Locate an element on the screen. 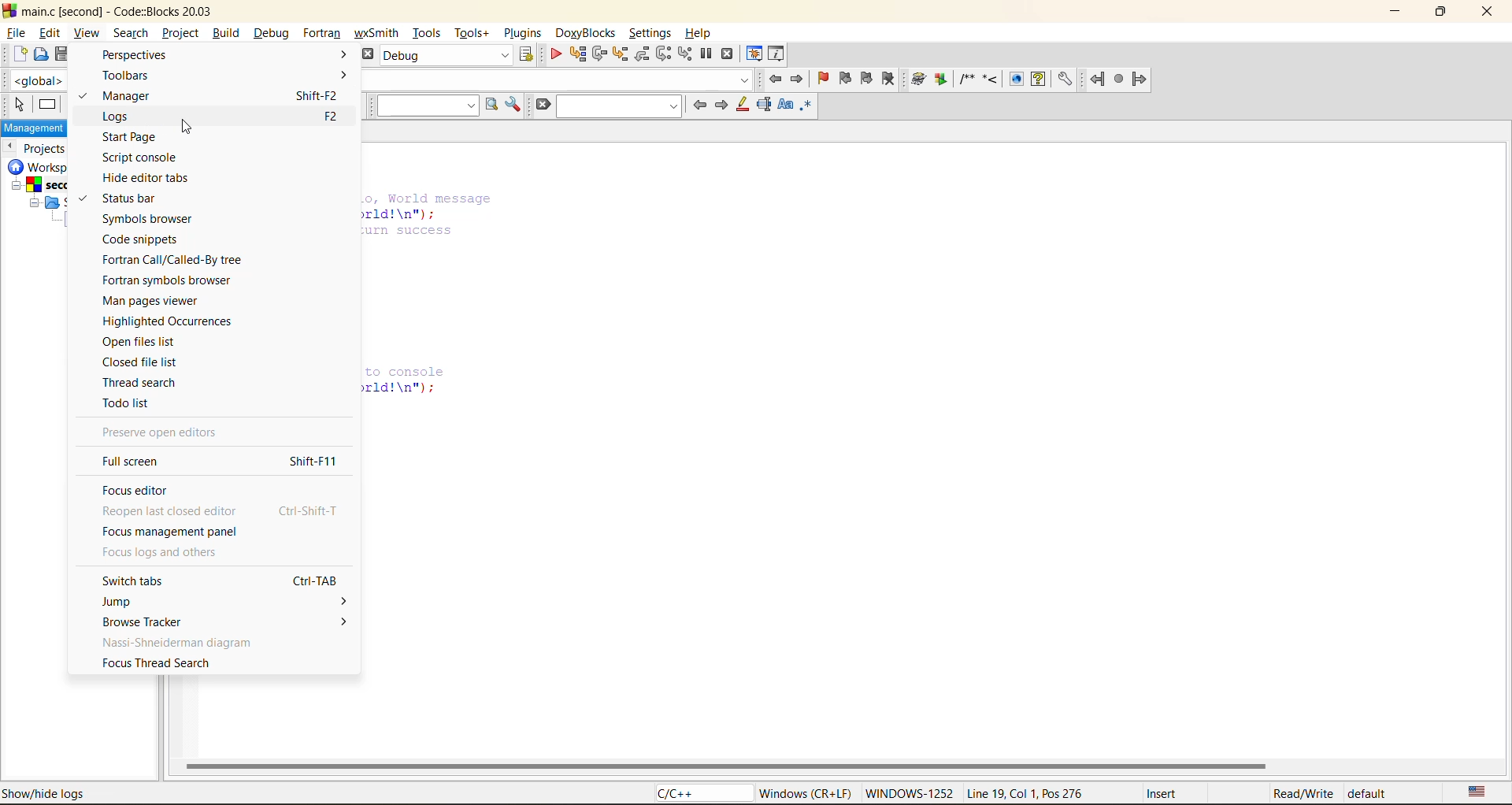  thread search is located at coordinates (145, 383).